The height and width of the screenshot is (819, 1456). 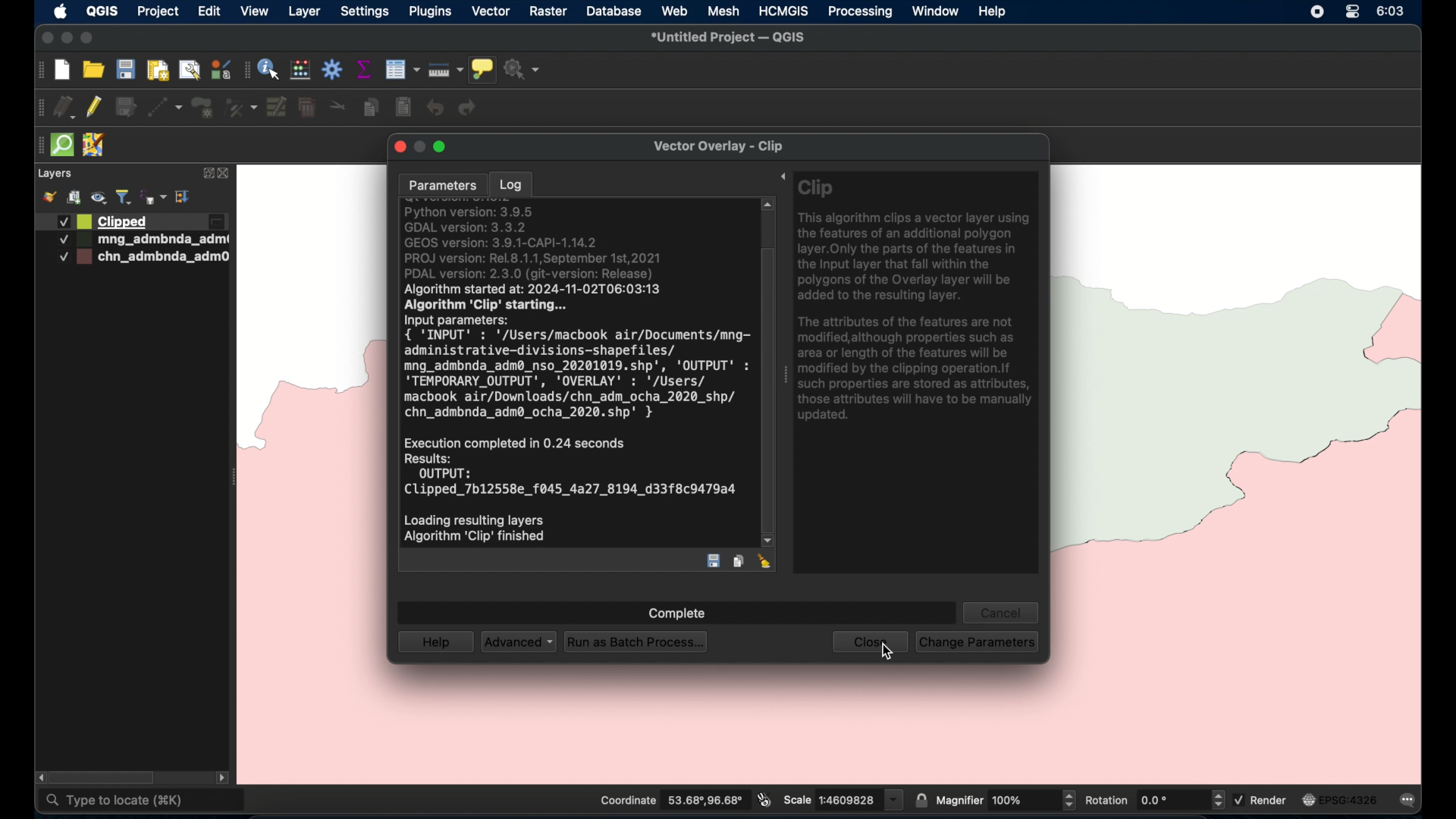 What do you see at coordinates (155, 197) in the screenshot?
I see `filter legend by expression` at bounding box center [155, 197].